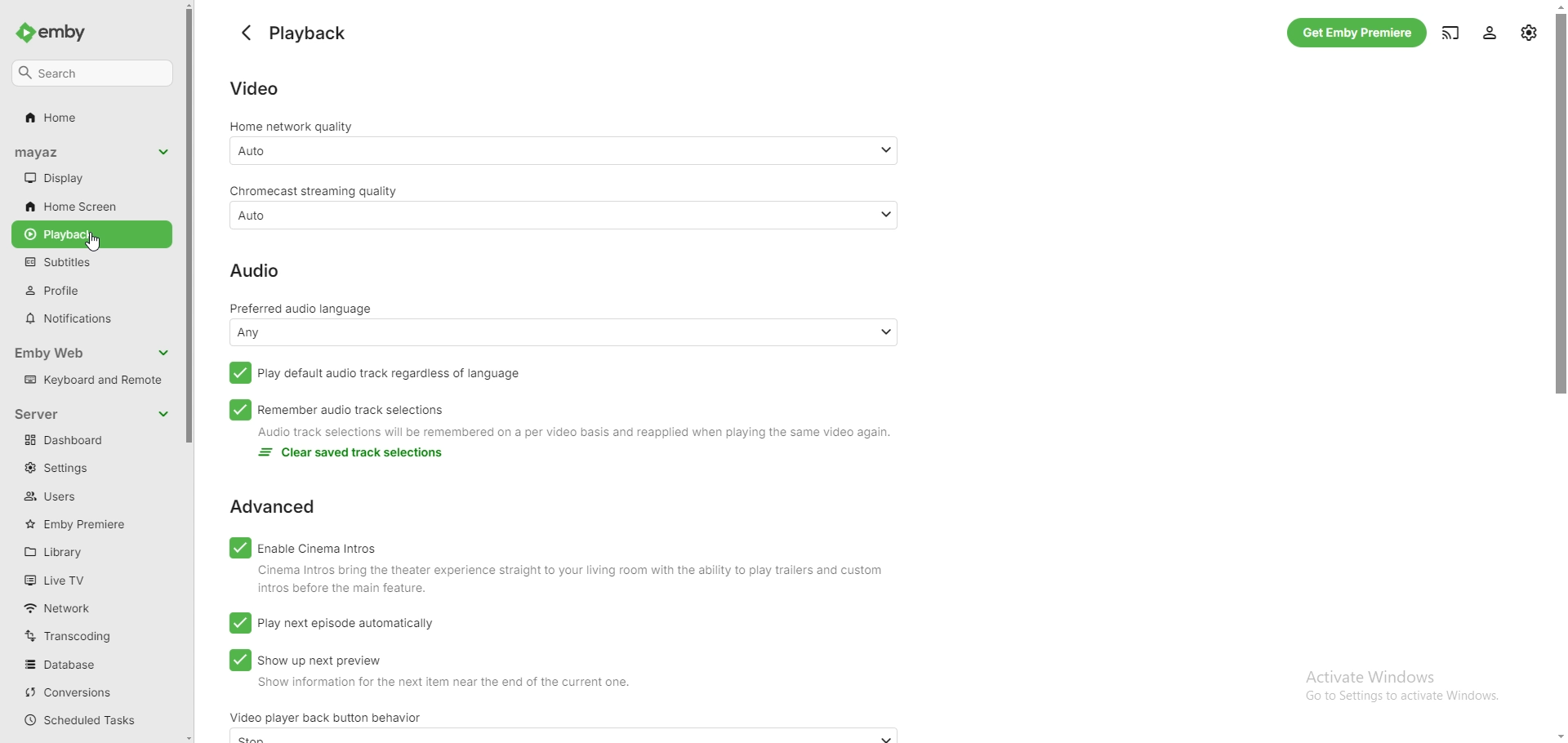 The height and width of the screenshot is (743, 1568). What do you see at coordinates (87, 720) in the screenshot?
I see `scheduled tasks` at bounding box center [87, 720].